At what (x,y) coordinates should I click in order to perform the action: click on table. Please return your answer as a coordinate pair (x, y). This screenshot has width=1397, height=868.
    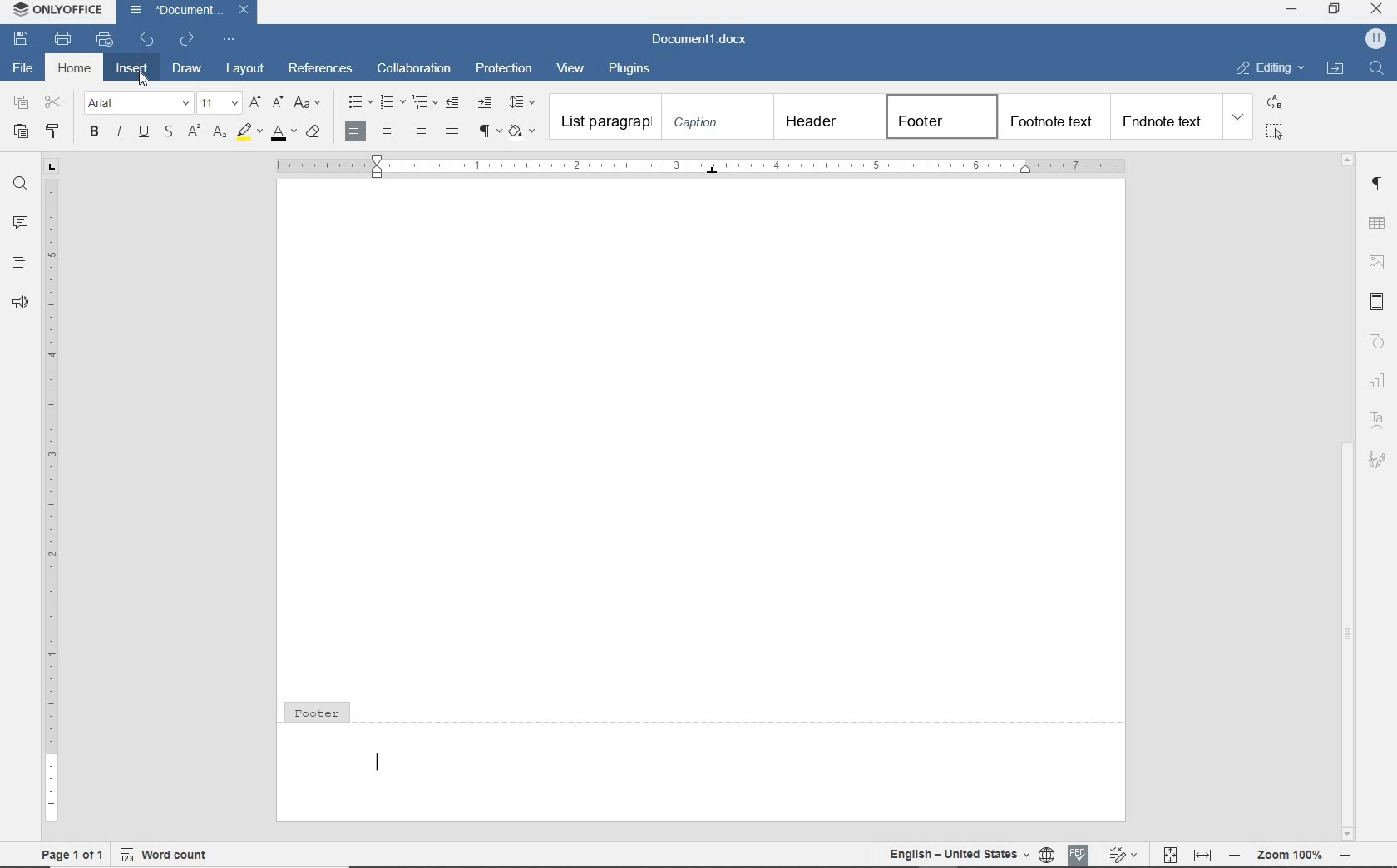
    Looking at the image, I should click on (1378, 222).